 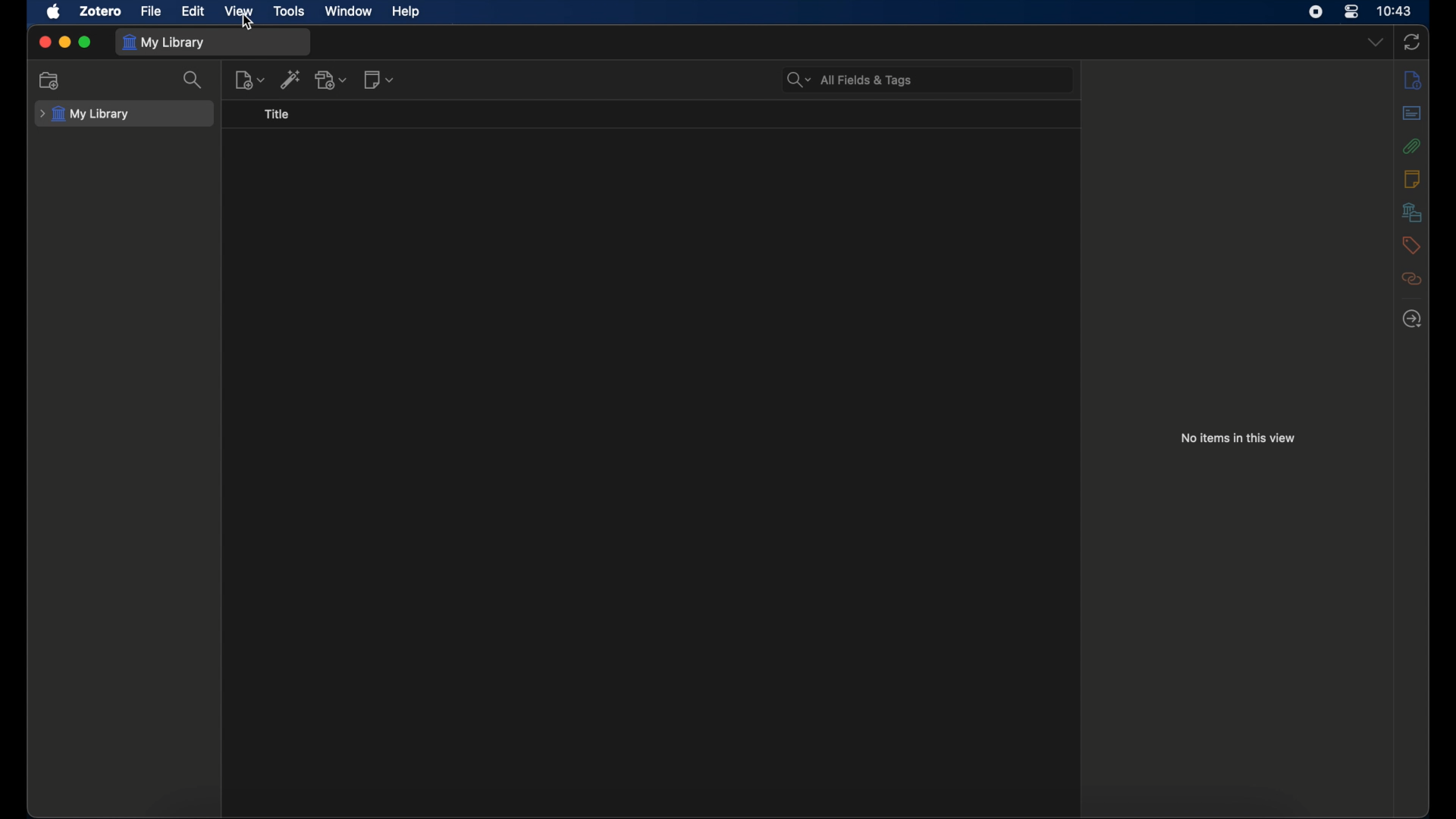 I want to click on no items in this view, so click(x=1238, y=438).